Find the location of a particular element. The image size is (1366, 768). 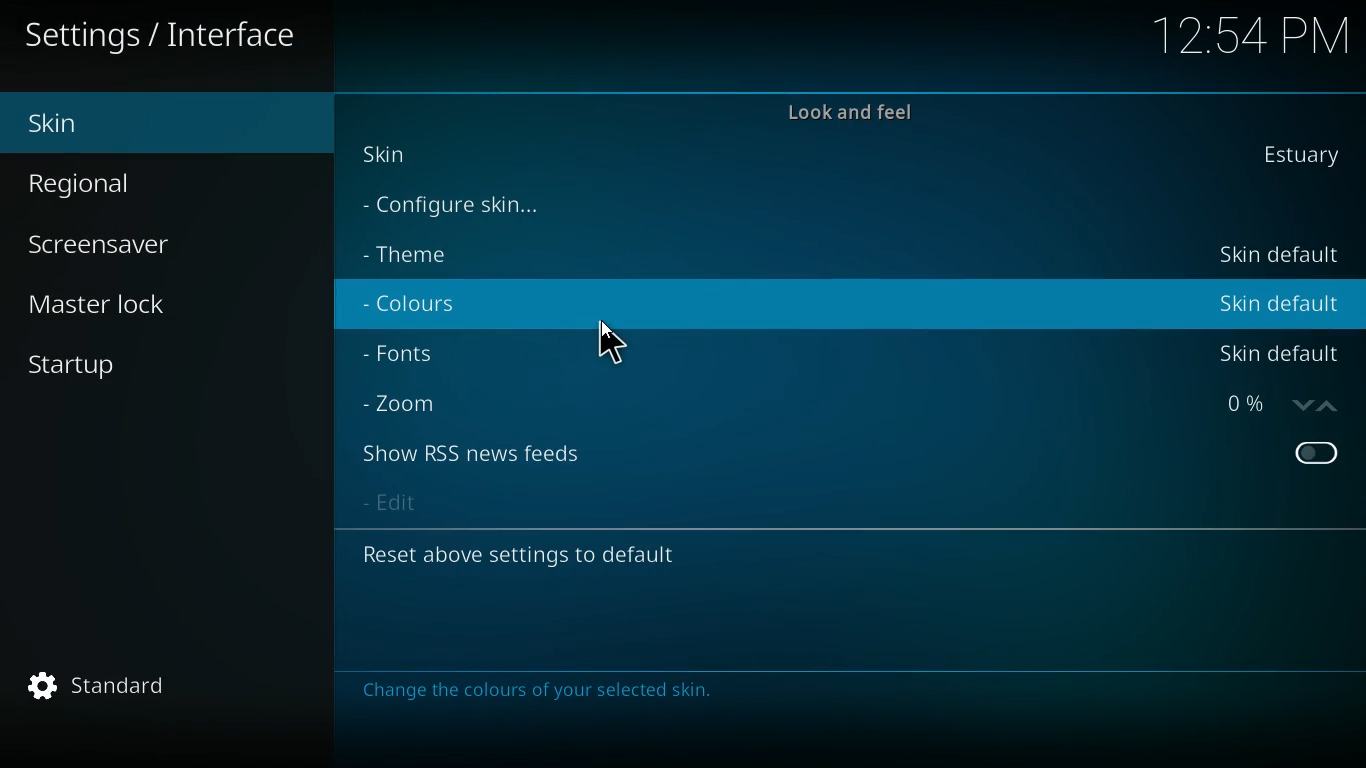

master lock  is located at coordinates (106, 307).